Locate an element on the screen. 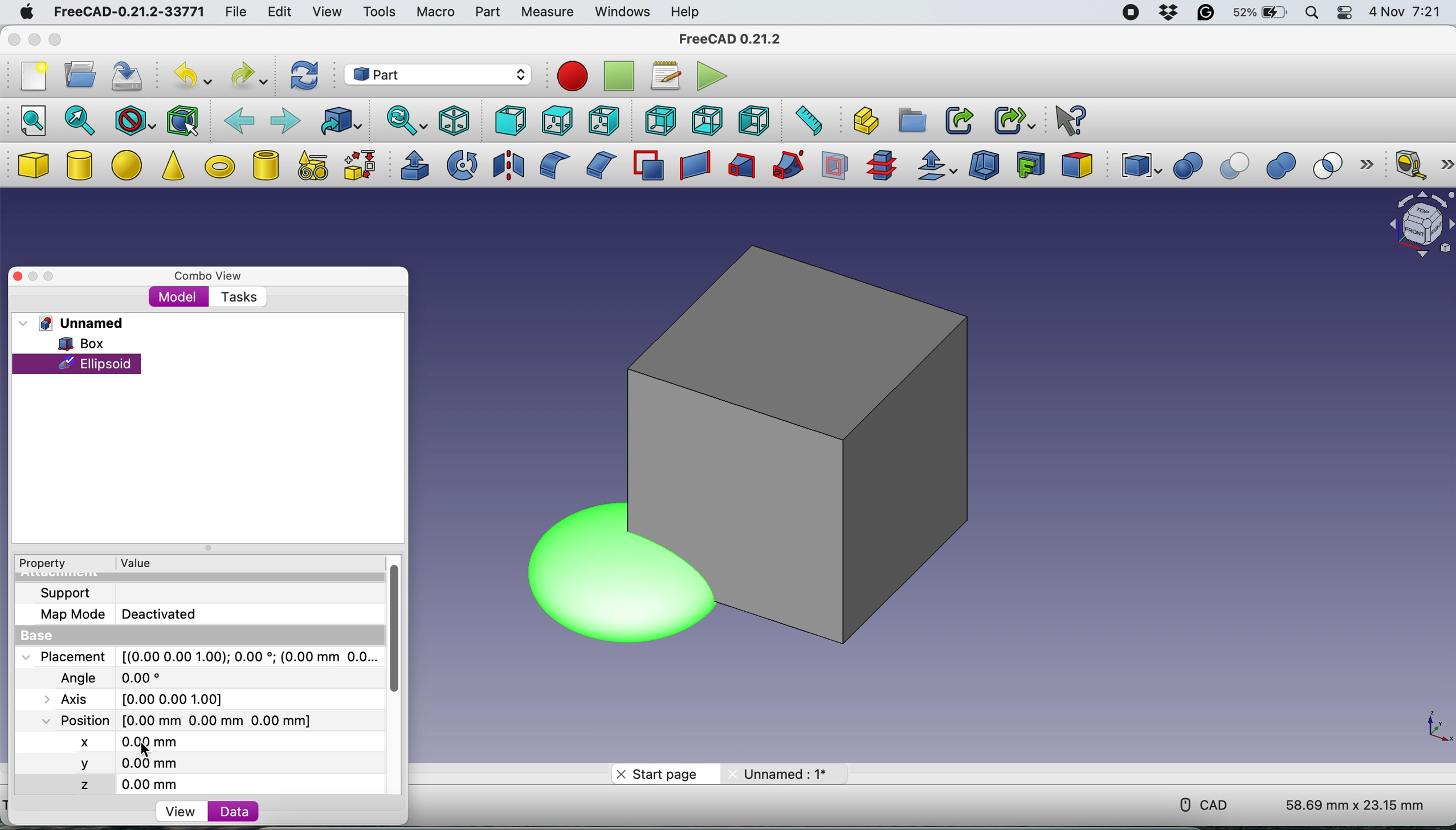 The image size is (1456, 830). torus is located at coordinates (219, 166).